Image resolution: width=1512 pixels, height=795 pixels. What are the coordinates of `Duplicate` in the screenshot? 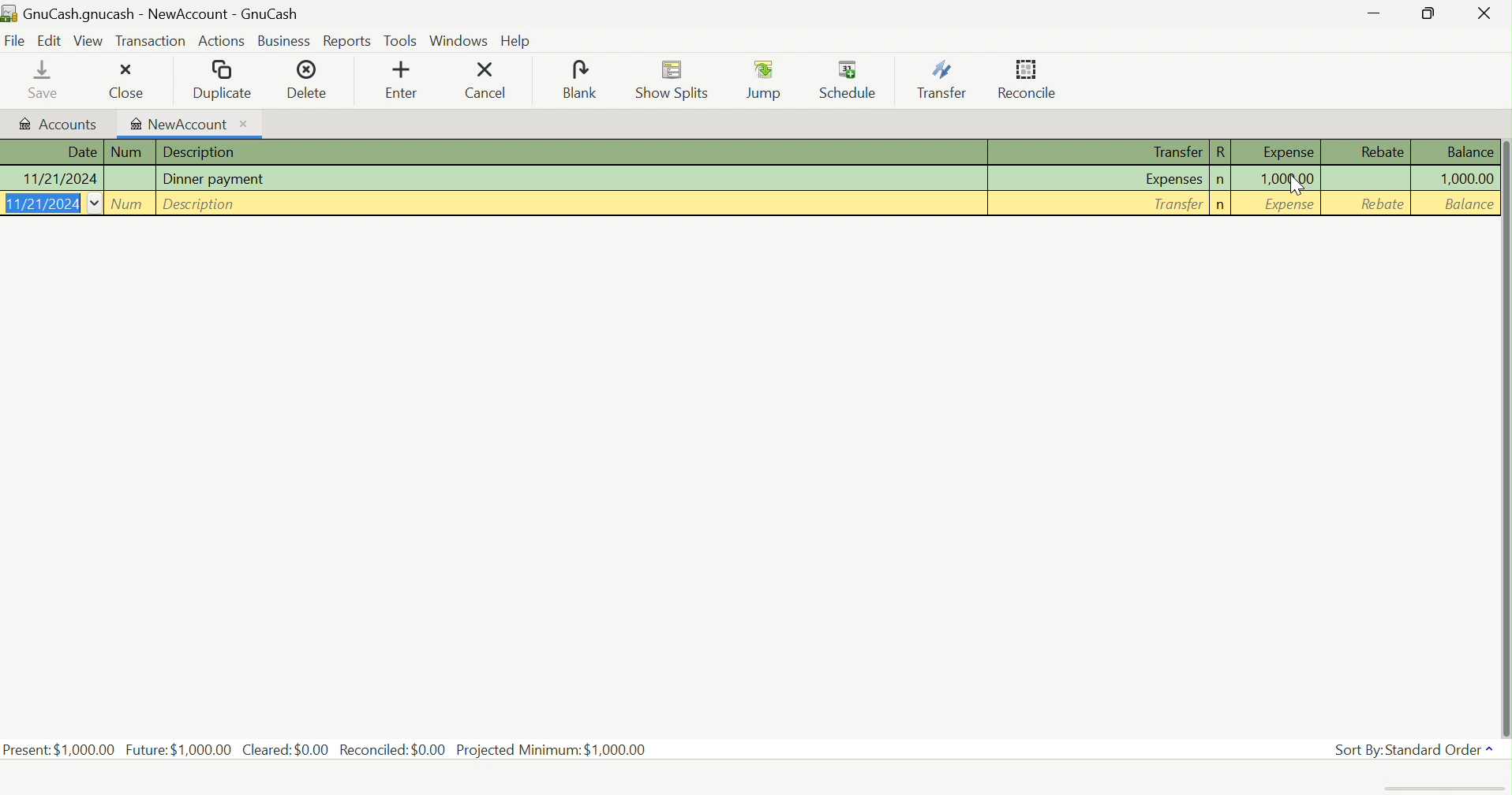 It's located at (222, 79).